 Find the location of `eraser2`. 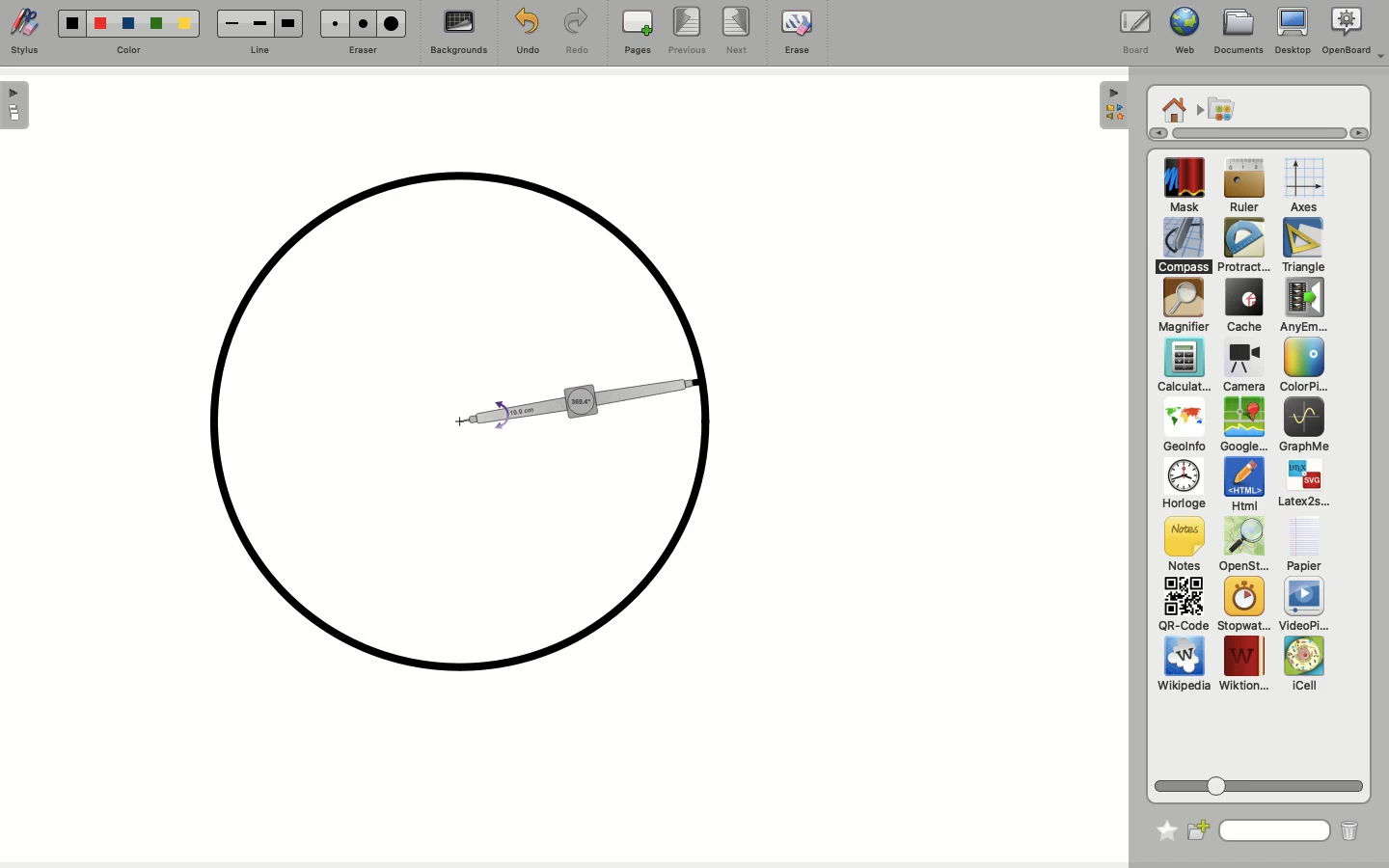

eraser2 is located at coordinates (363, 23).